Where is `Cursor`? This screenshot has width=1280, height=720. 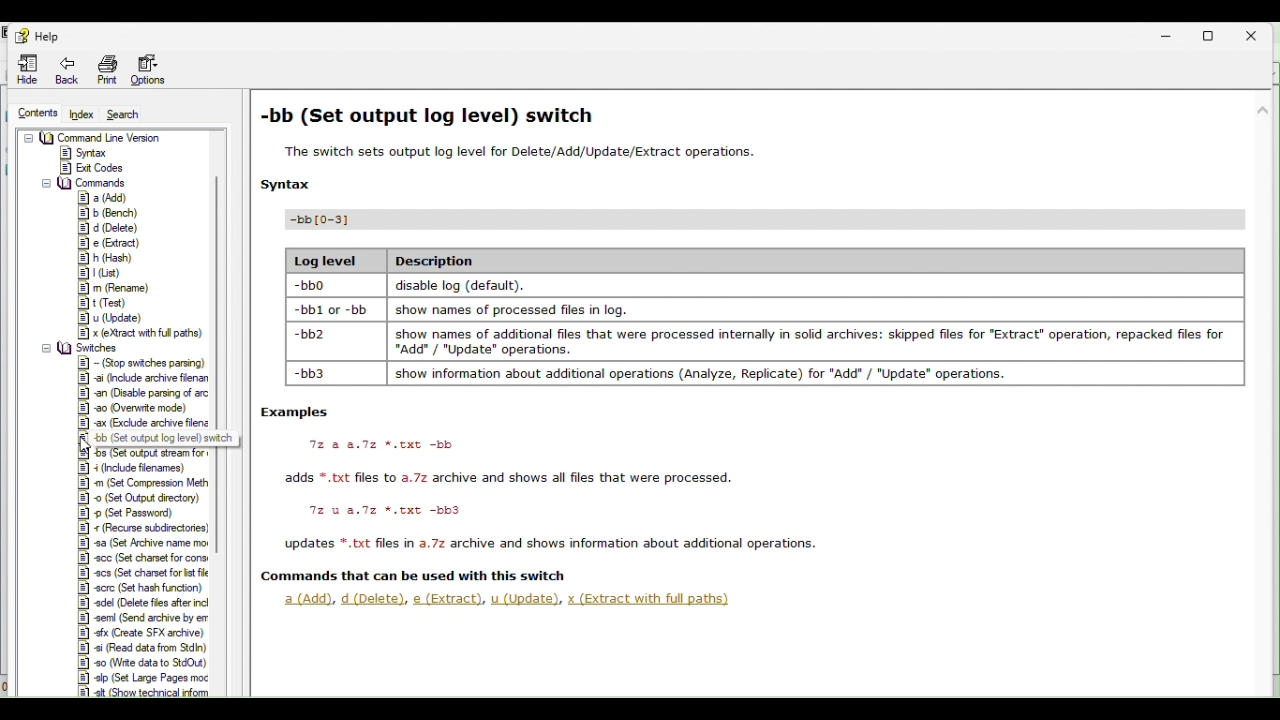 Cursor is located at coordinates (91, 446).